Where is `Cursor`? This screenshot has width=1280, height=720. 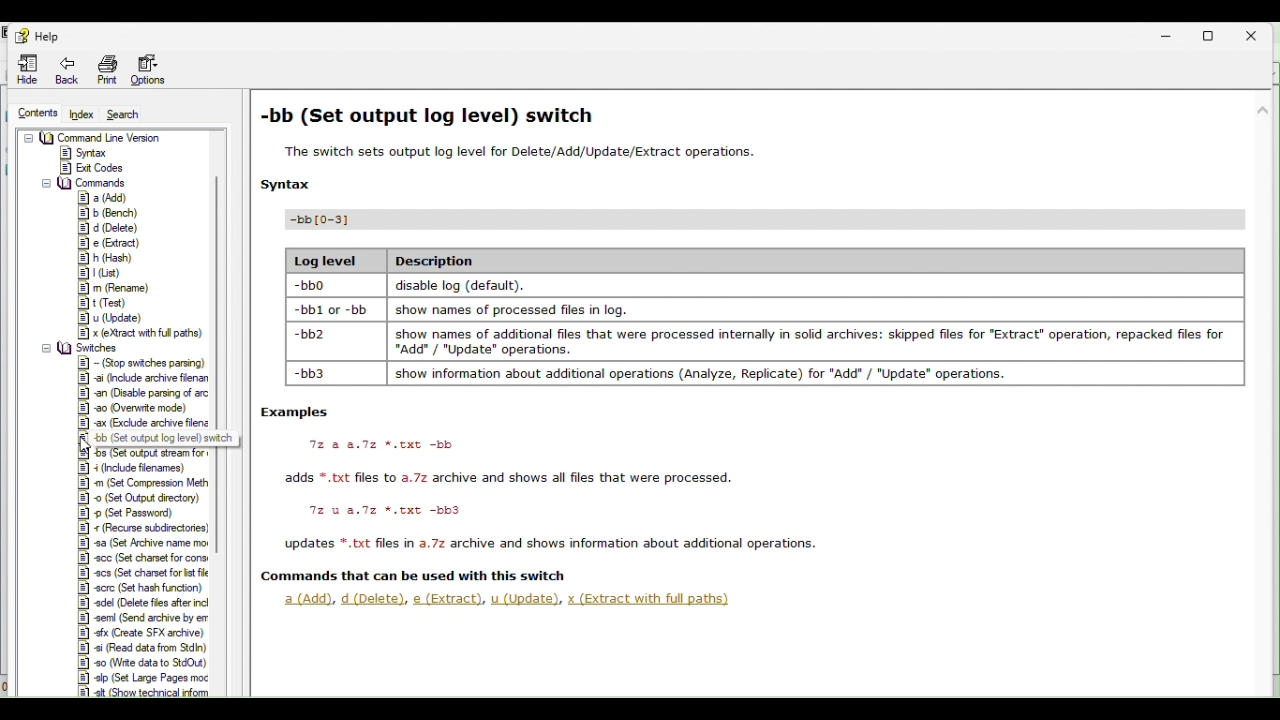 Cursor is located at coordinates (91, 446).